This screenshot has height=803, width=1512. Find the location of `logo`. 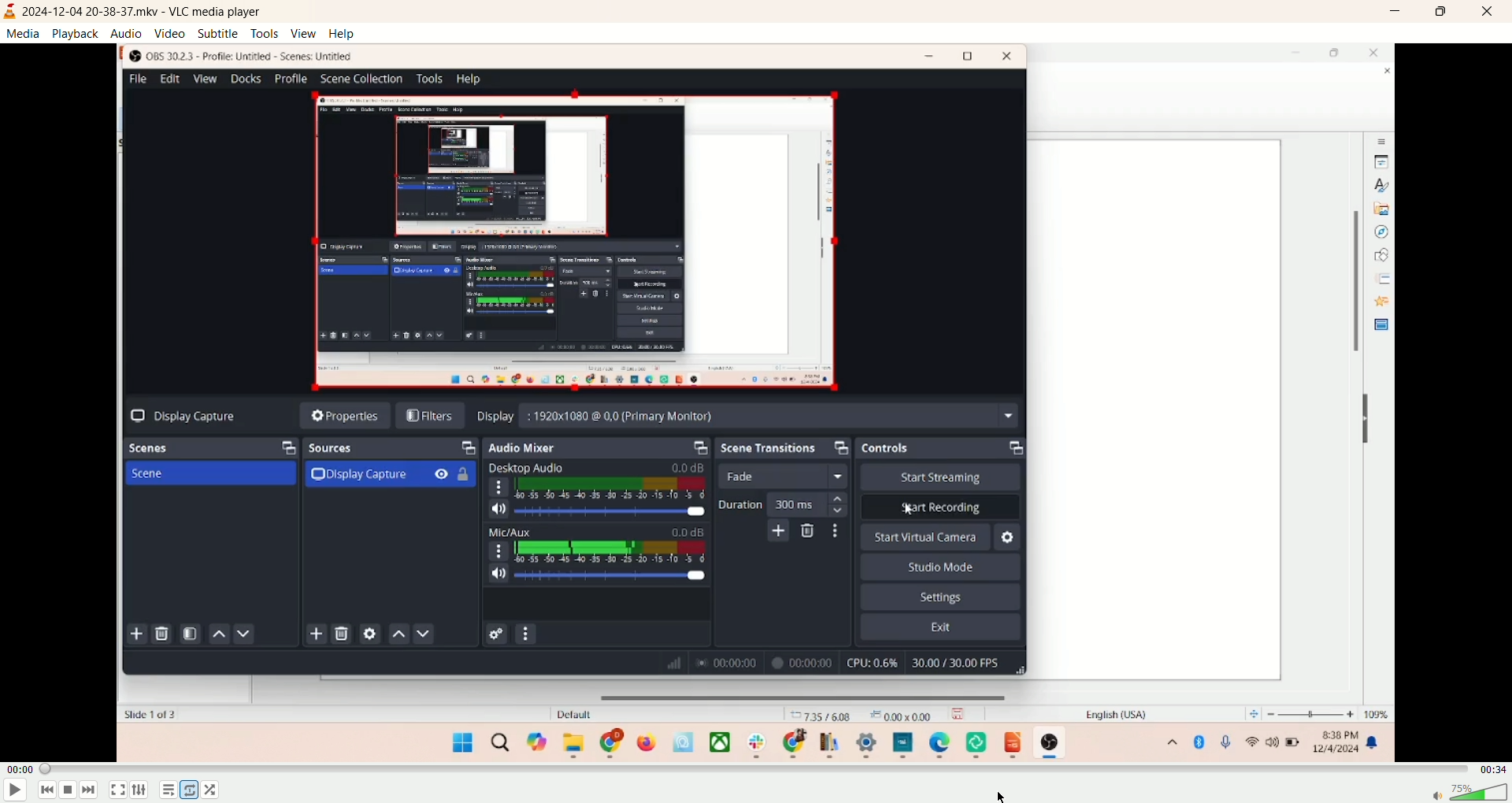

logo is located at coordinates (9, 12).